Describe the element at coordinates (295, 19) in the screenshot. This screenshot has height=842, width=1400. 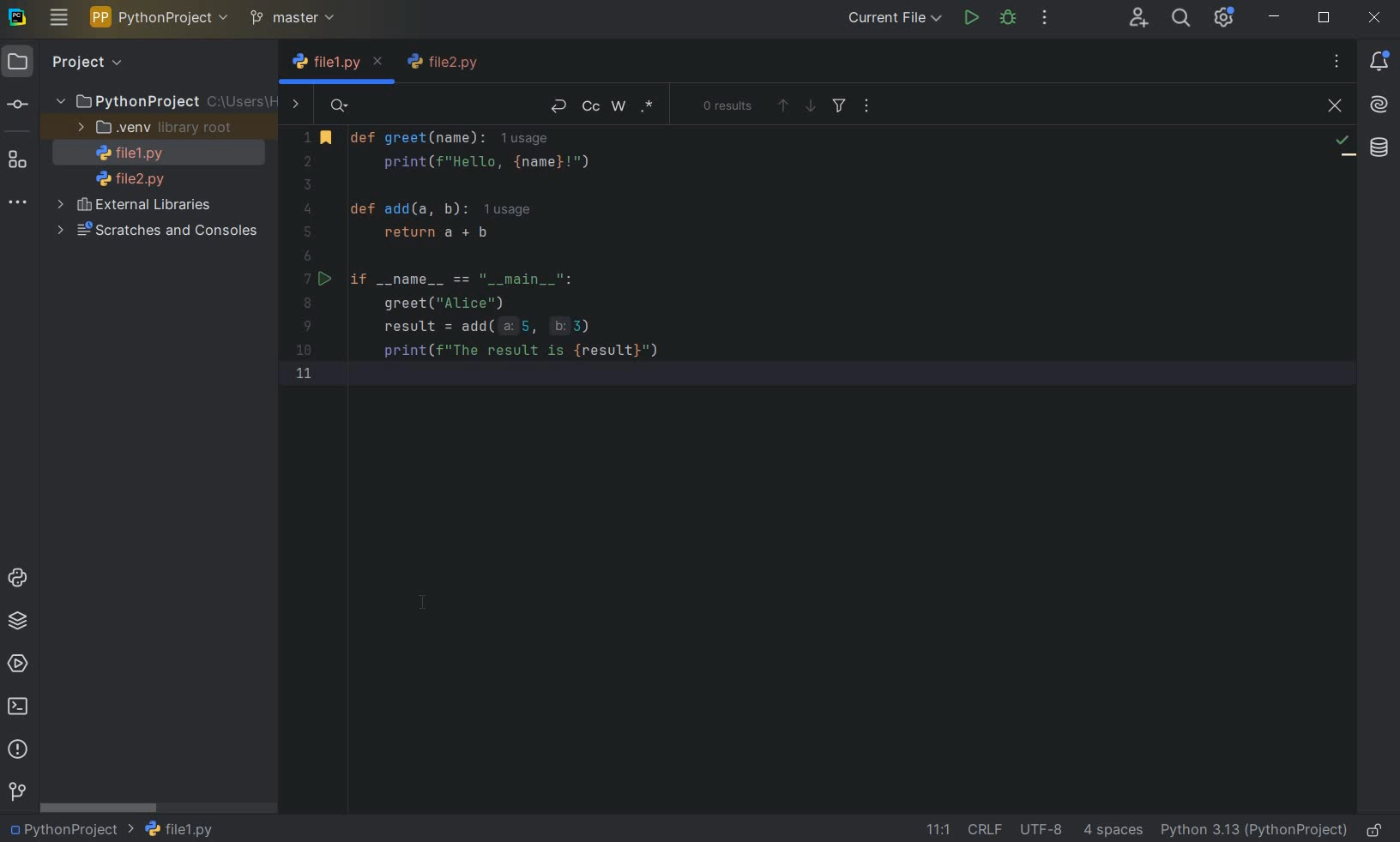
I see `MASTER` at that location.